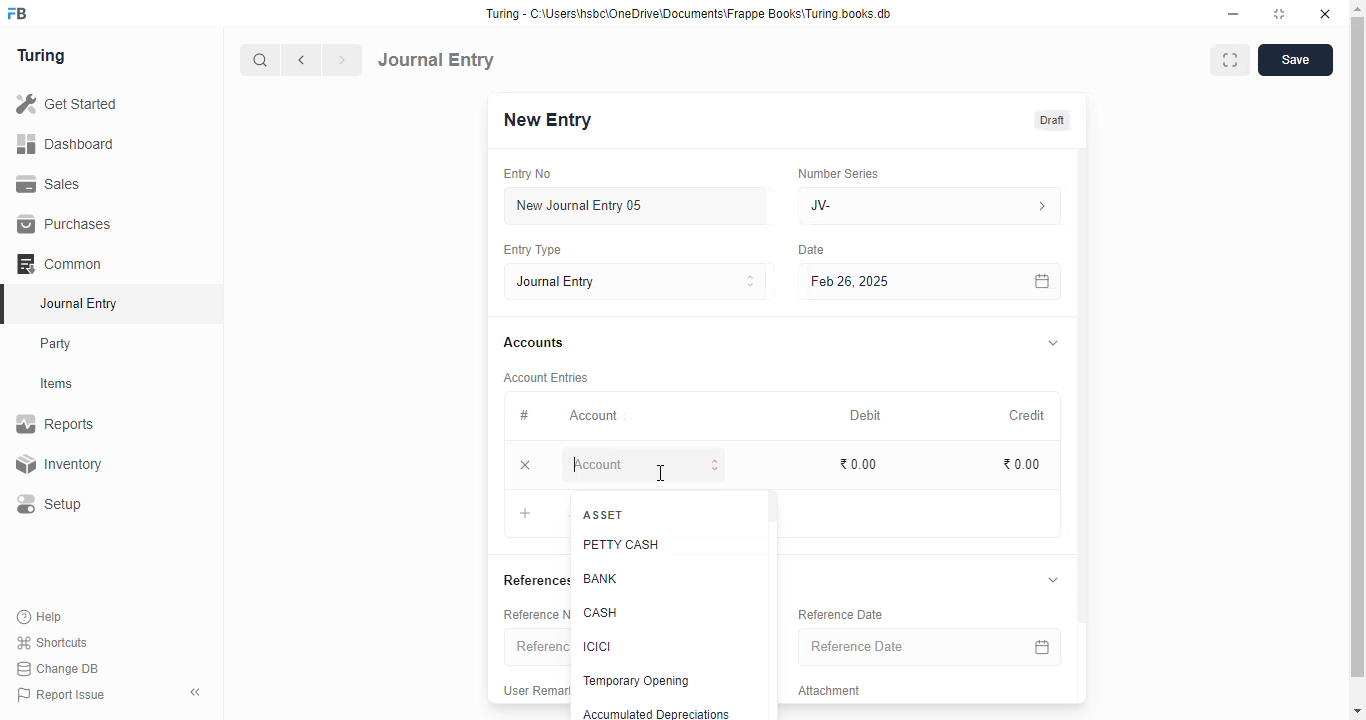 The image size is (1366, 720). What do you see at coordinates (600, 578) in the screenshot?
I see `bank` at bounding box center [600, 578].